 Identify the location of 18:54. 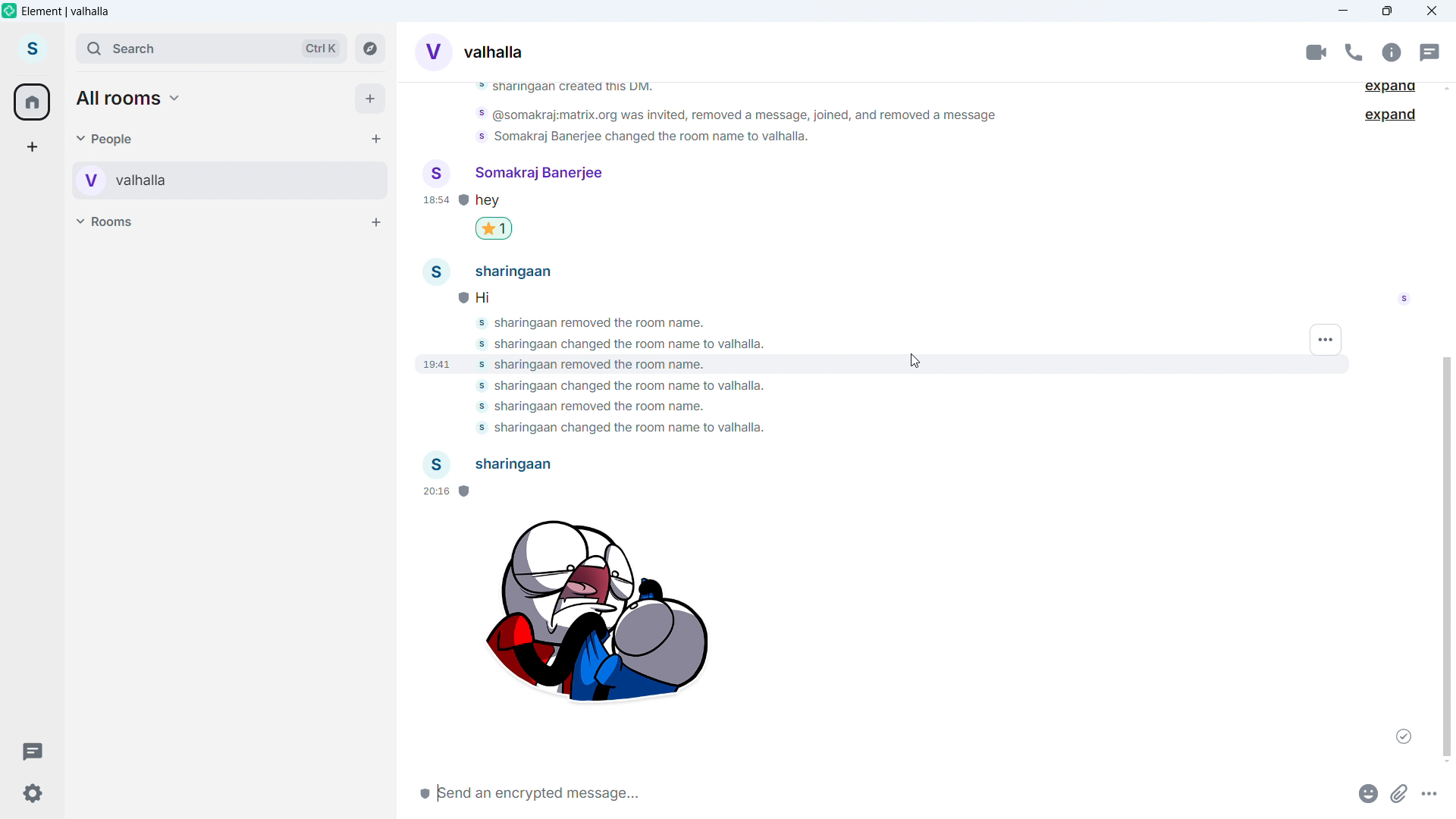
(436, 202).